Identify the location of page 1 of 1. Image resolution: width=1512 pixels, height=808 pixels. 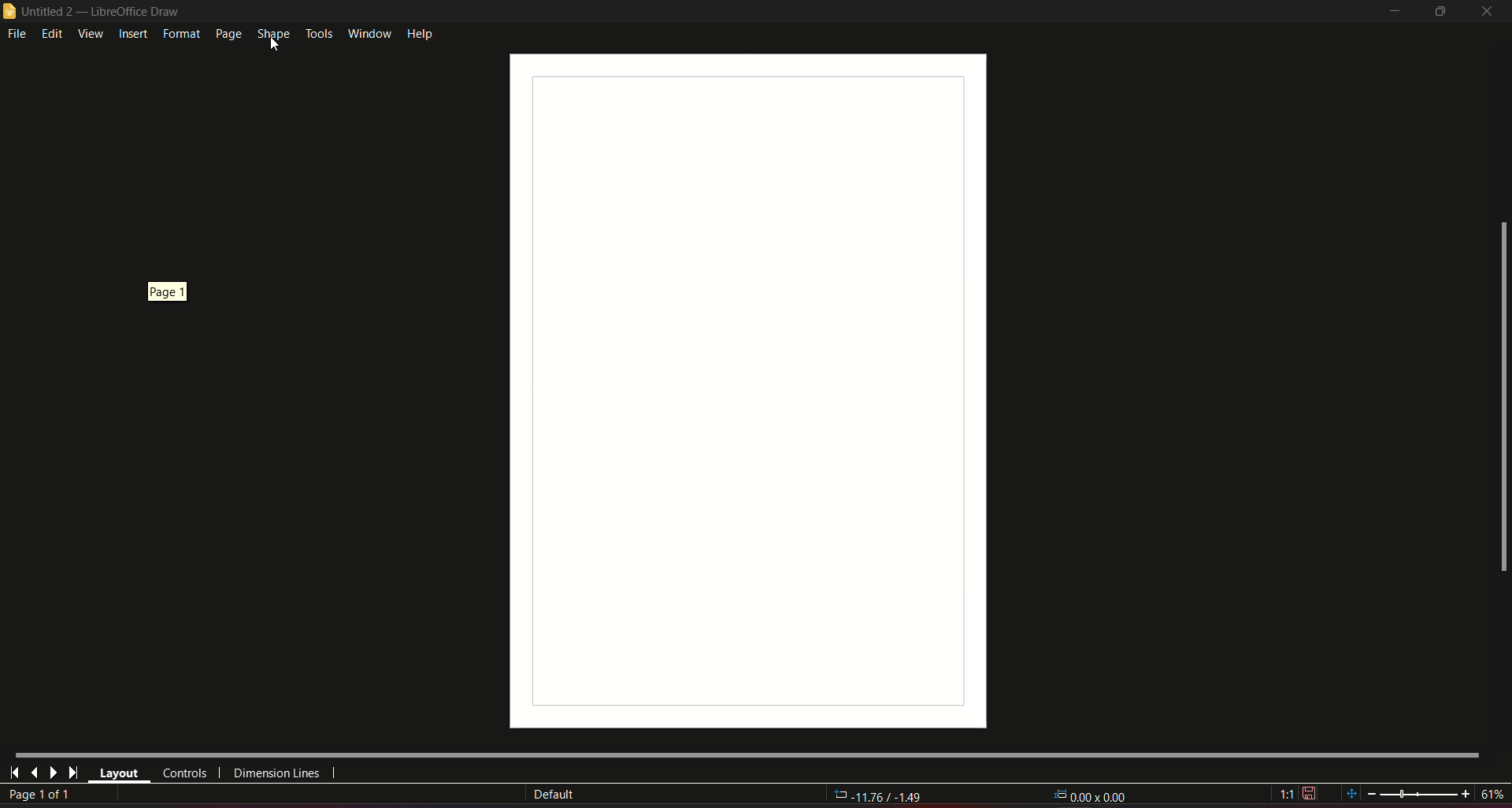
(43, 795).